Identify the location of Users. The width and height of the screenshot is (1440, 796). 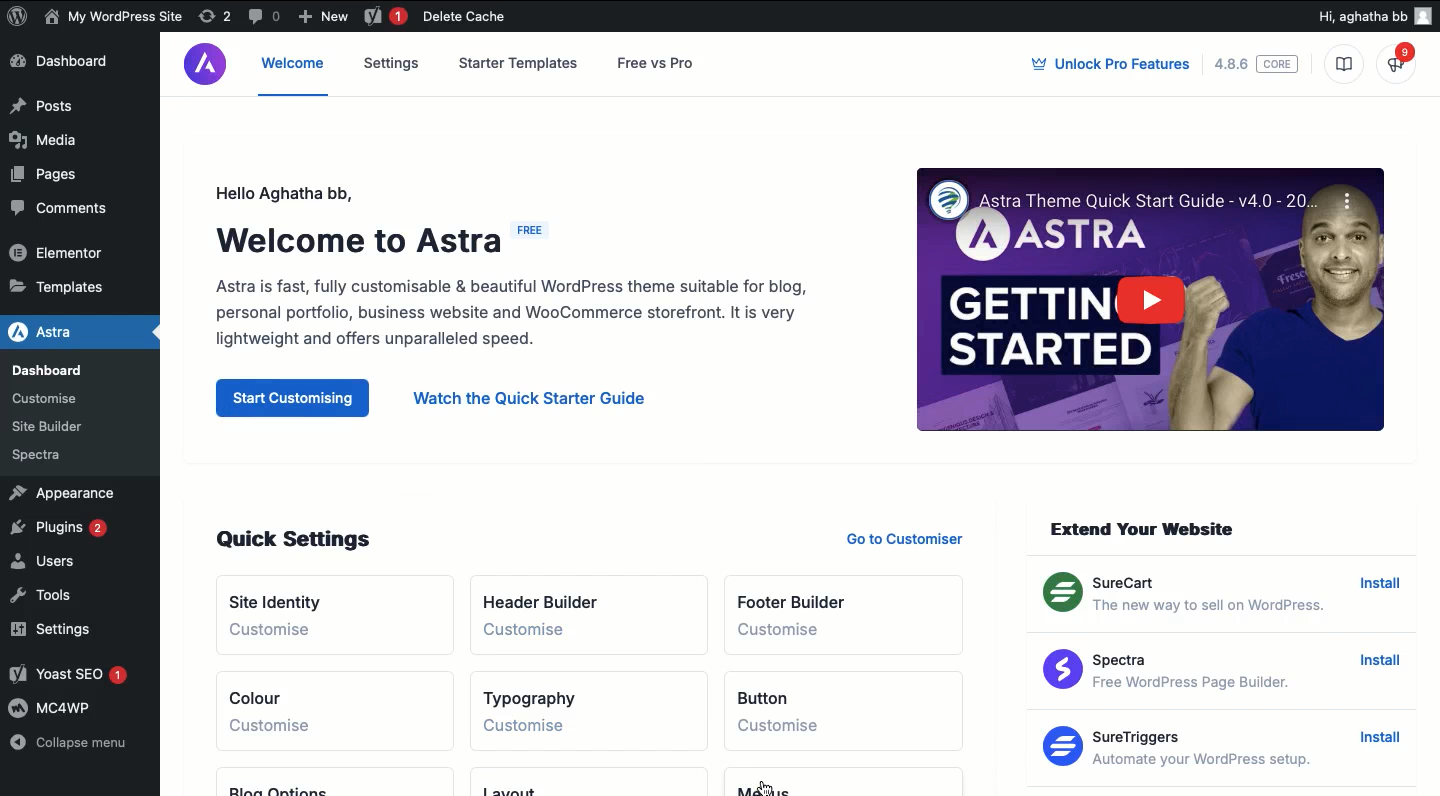
(50, 564).